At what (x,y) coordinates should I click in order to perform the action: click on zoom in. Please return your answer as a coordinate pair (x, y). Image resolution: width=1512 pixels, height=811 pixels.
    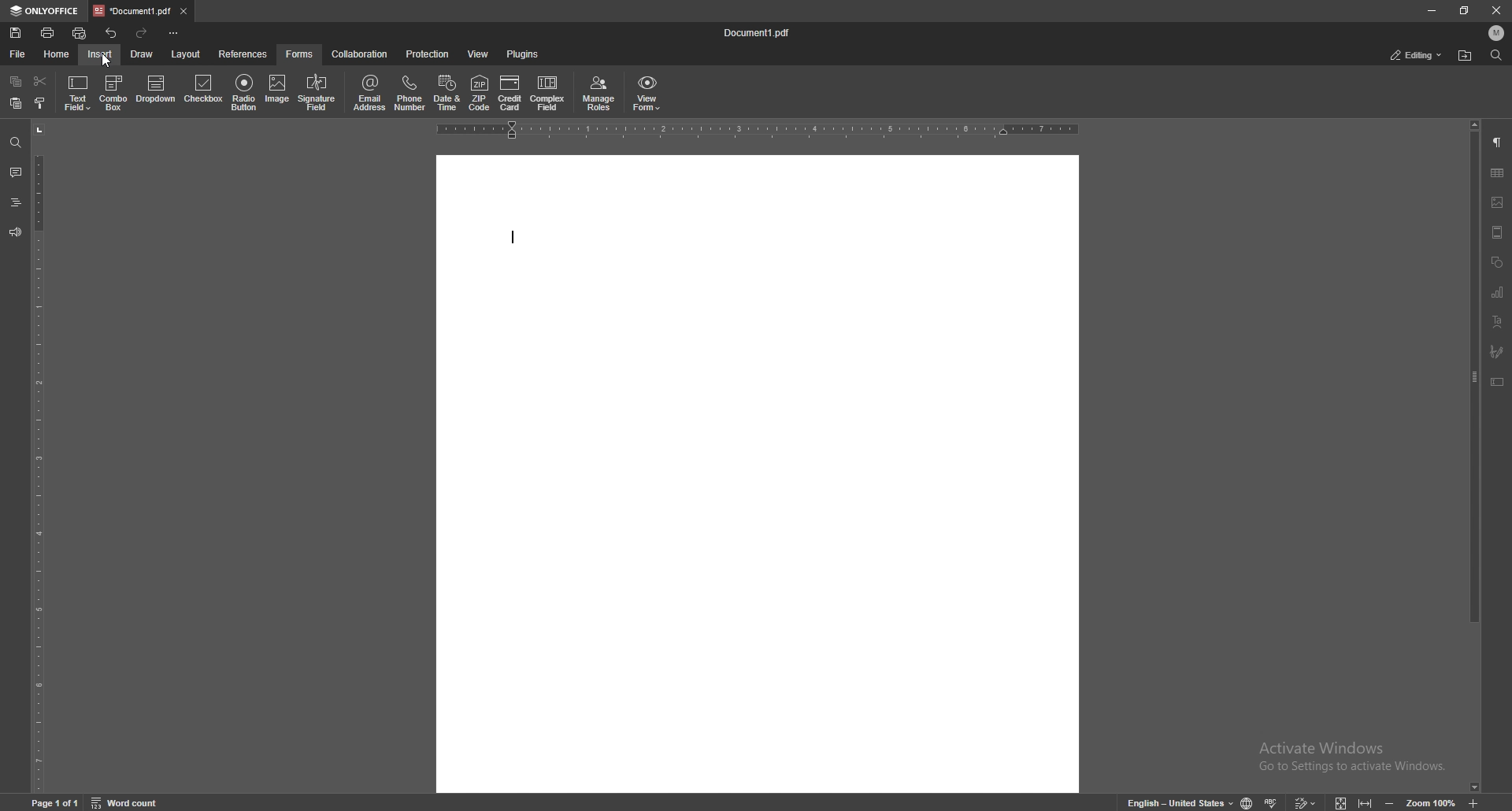
    Looking at the image, I should click on (1477, 803).